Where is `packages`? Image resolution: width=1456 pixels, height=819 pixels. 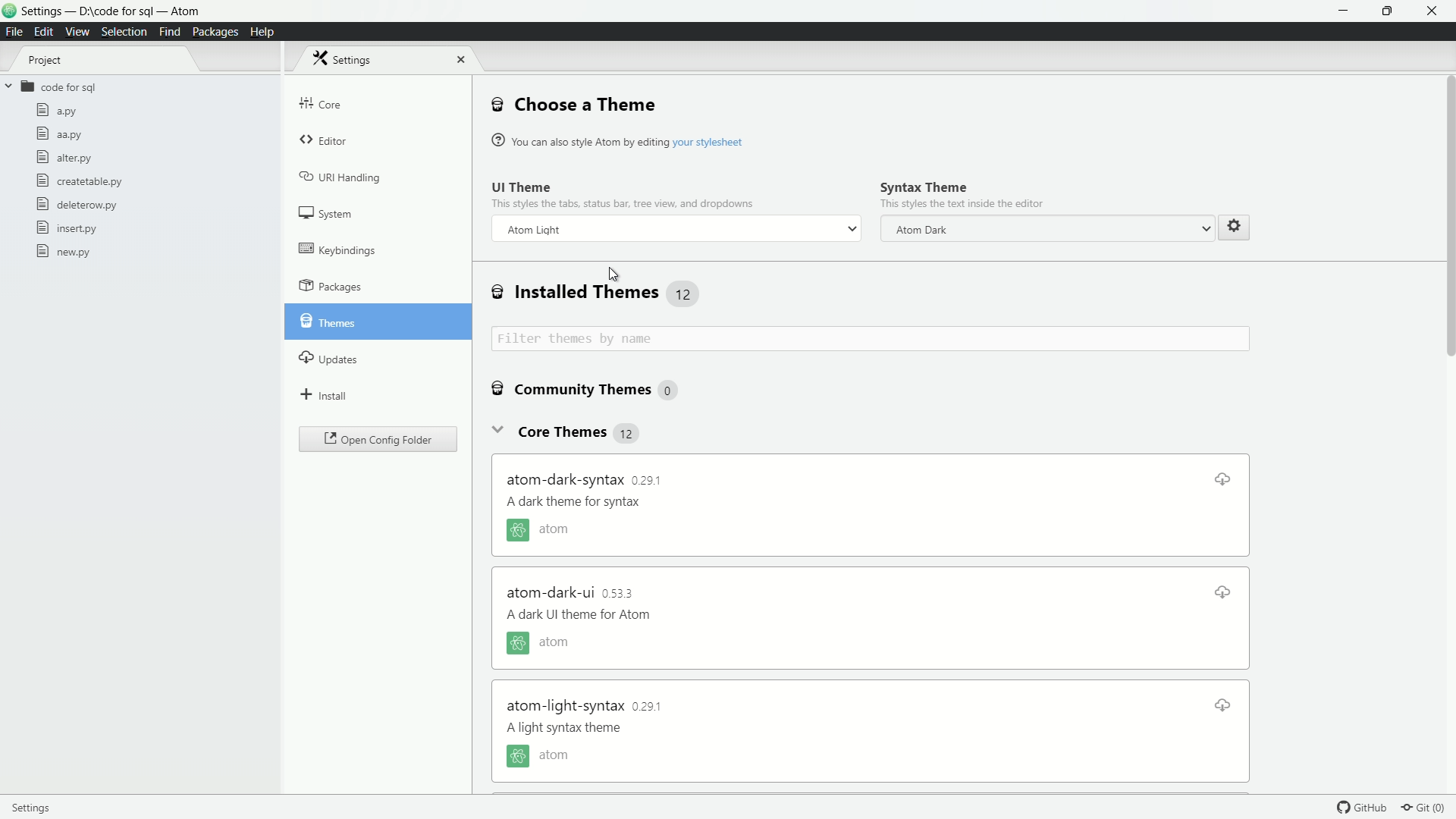
packages is located at coordinates (334, 287).